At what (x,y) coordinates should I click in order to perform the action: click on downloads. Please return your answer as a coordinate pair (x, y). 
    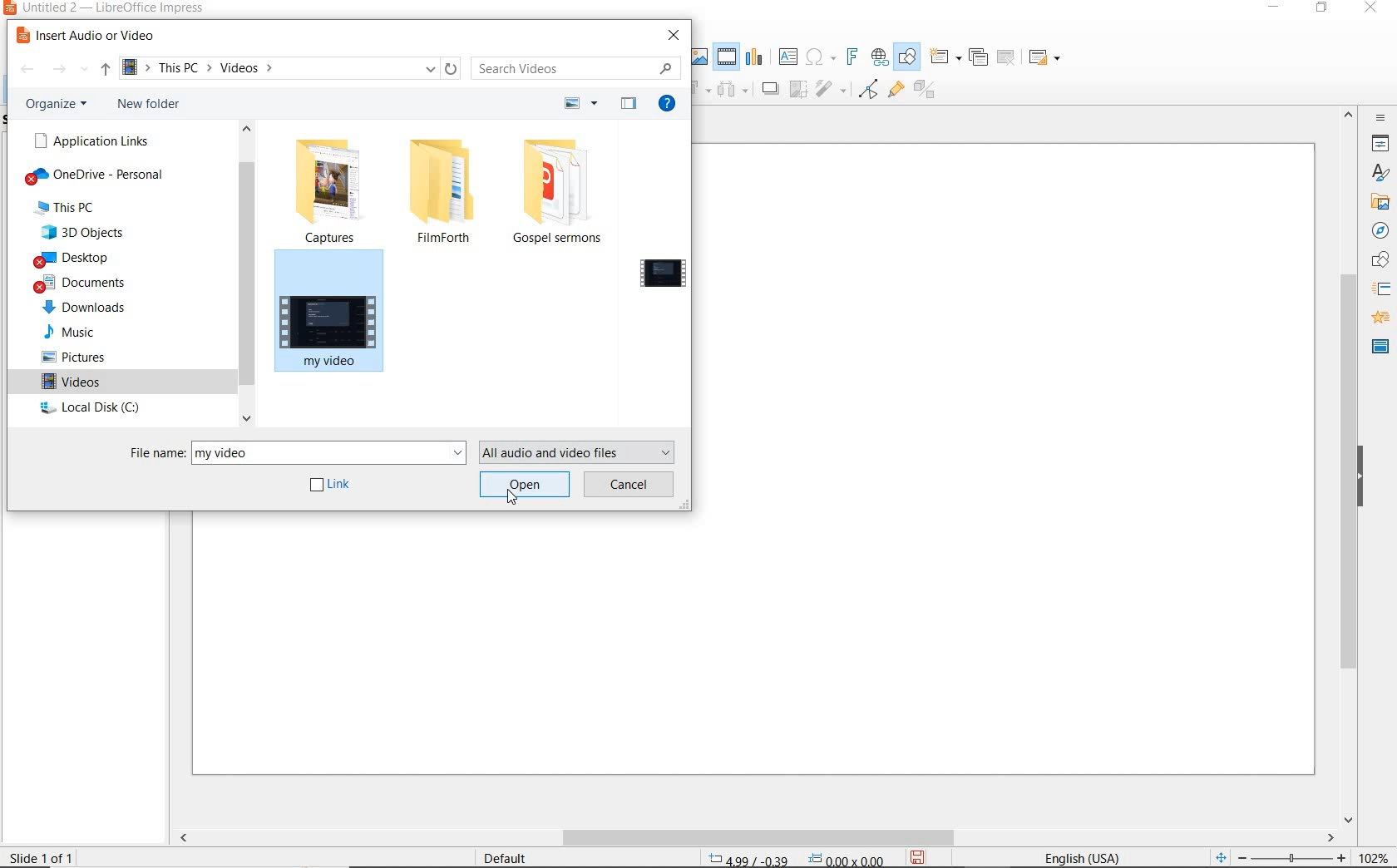
    Looking at the image, I should click on (88, 308).